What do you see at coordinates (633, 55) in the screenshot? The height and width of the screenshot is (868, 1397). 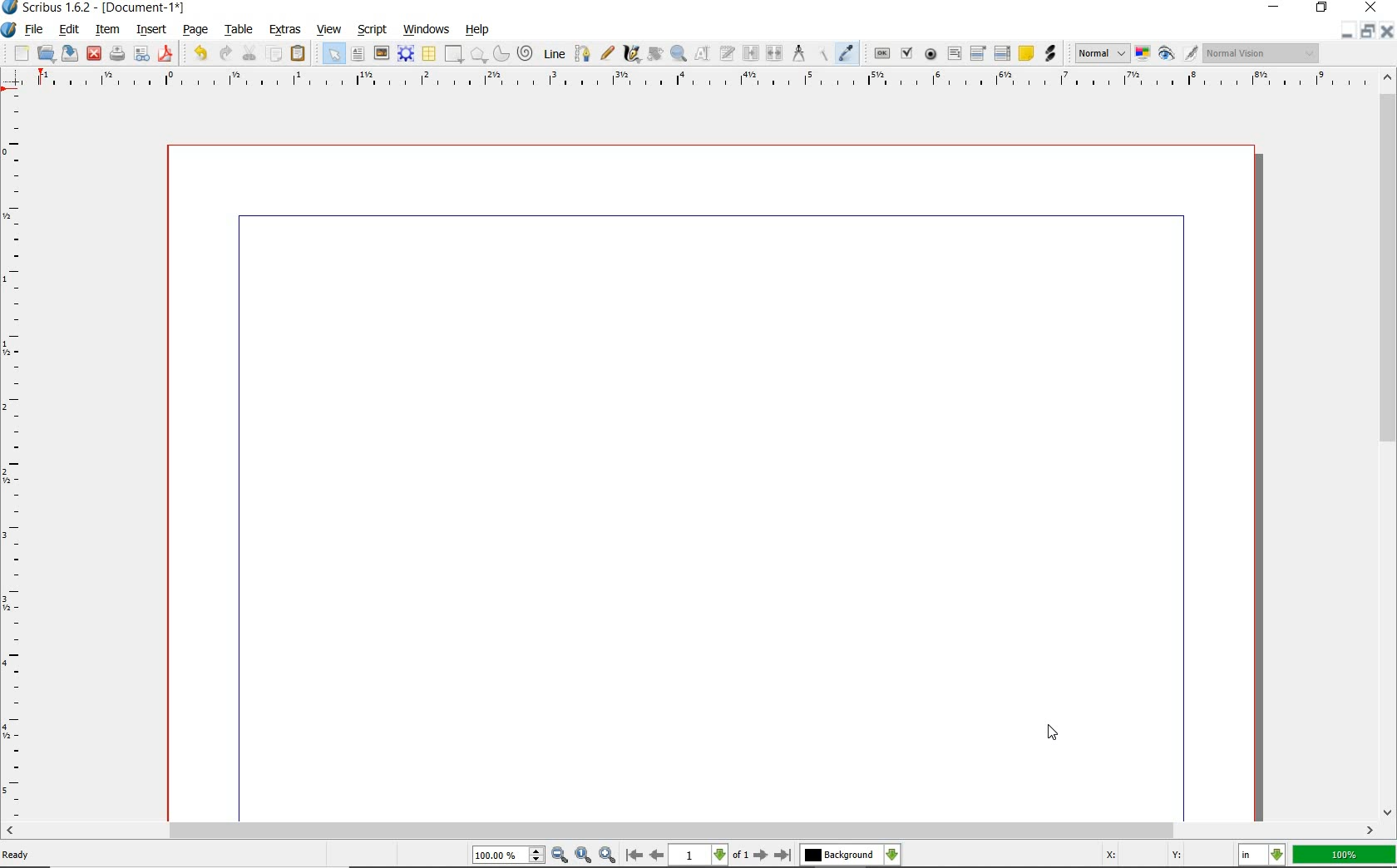 I see `calligraphic line` at bounding box center [633, 55].